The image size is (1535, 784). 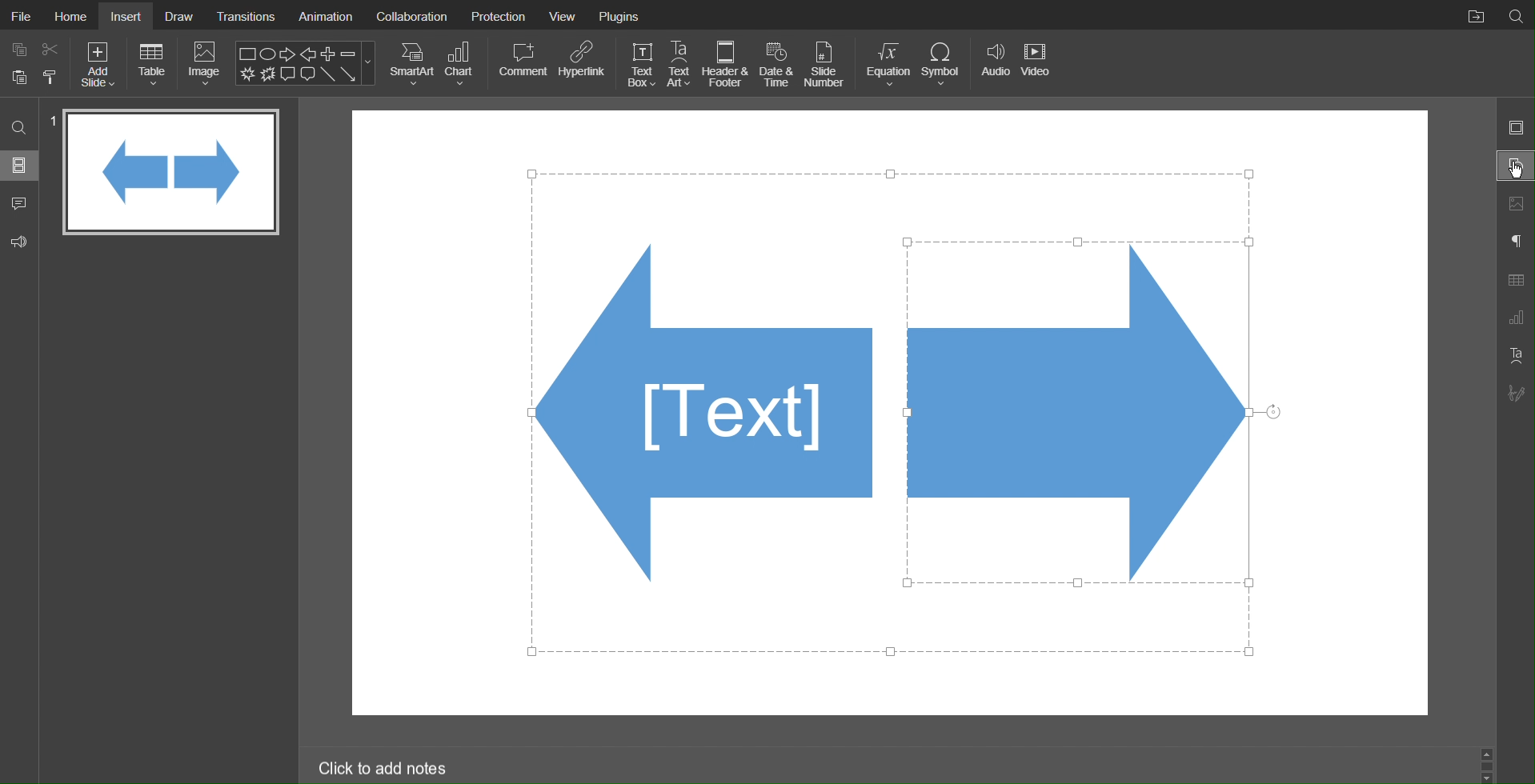 What do you see at coordinates (828, 63) in the screenshot?
I see `Slide Number` at bounding box center [828, 63].